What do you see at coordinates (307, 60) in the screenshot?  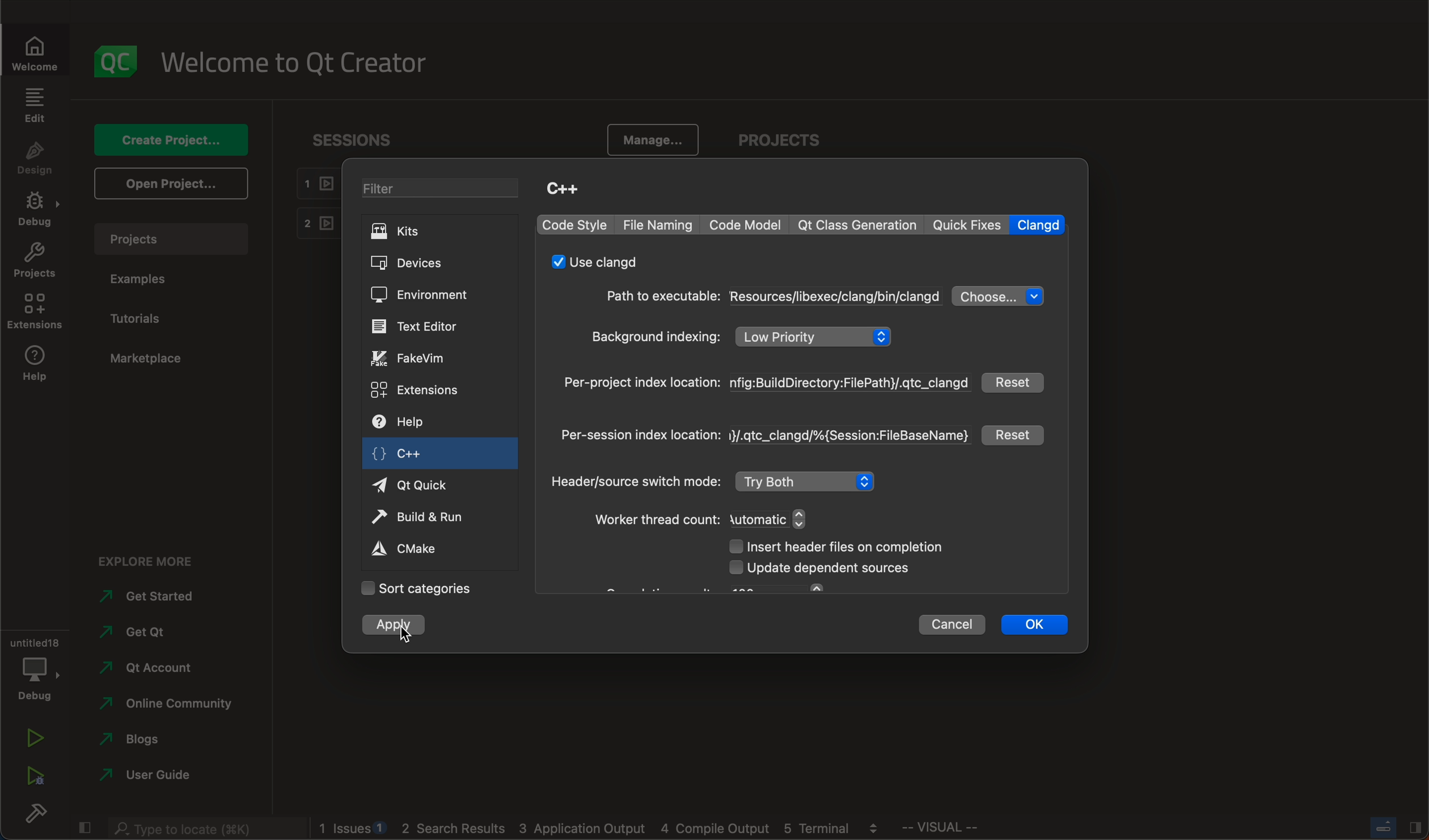 I see `welcome` at bounding box center [307, 60].